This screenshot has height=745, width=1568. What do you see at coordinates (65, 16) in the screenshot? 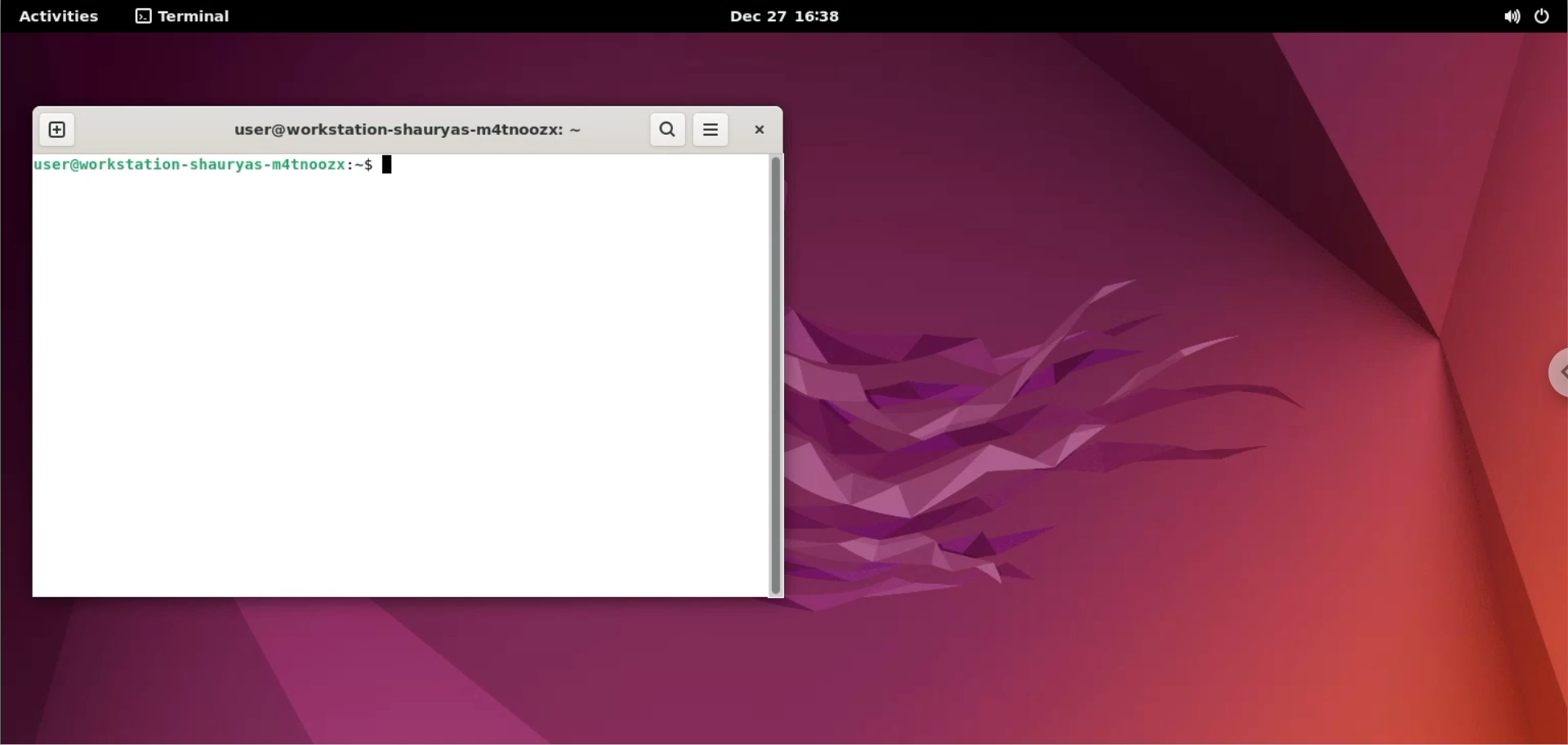
I see `Activities` at bounding box center [65, 16].